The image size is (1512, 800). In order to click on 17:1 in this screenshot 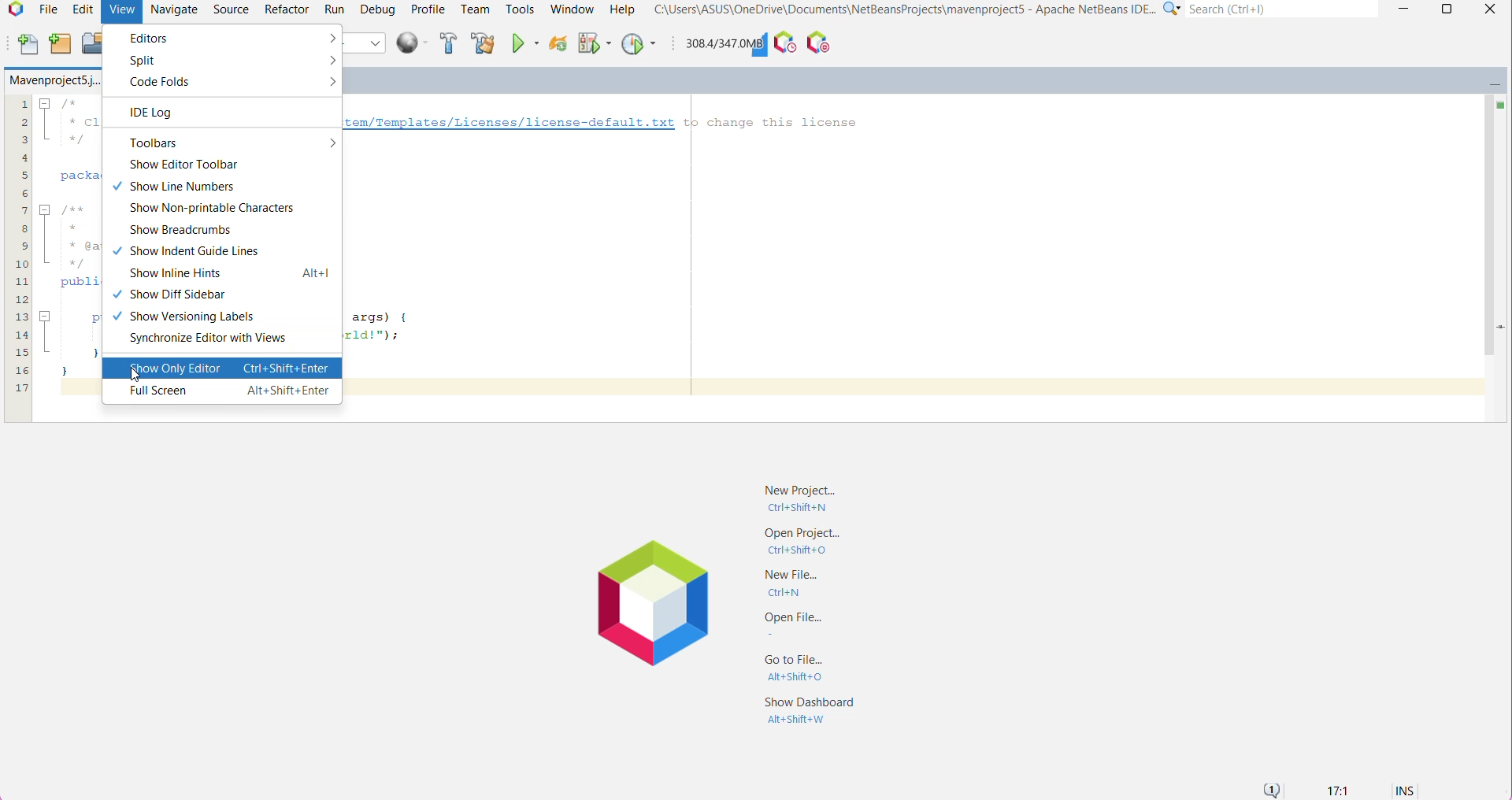, I will do `click(1348, 791)`.